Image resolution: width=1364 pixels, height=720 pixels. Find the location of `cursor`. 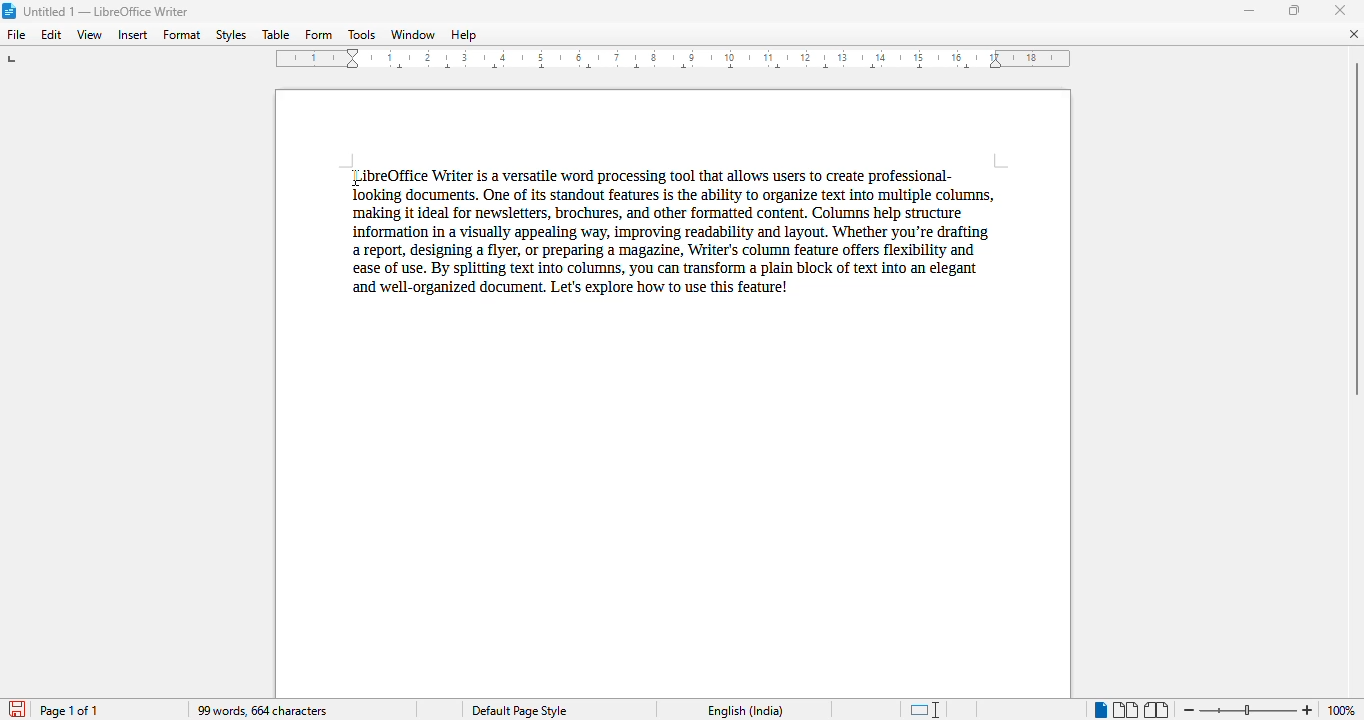

cursor is located at coordinates (352, 174).